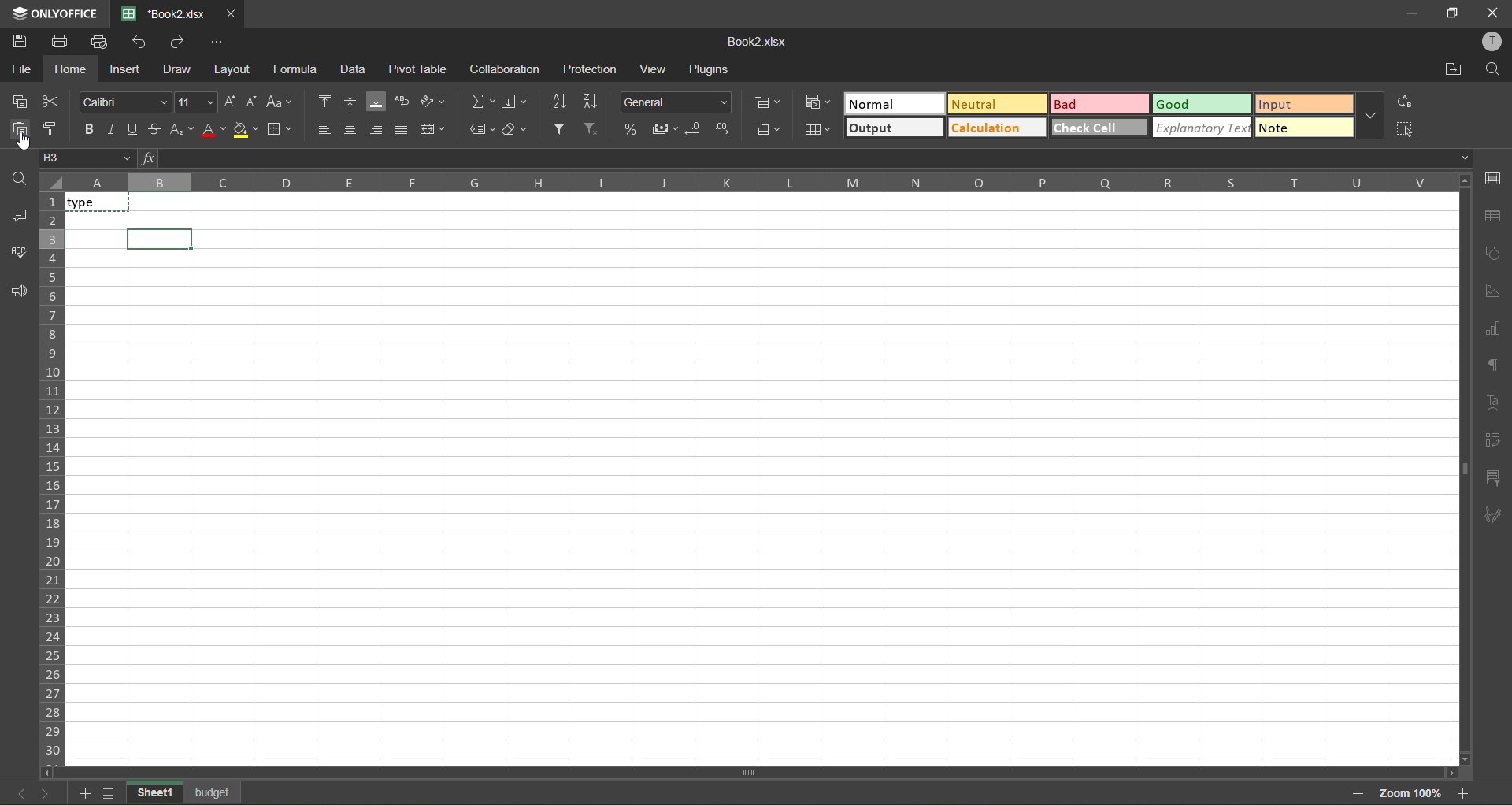  What do you see at coordinates (663, 128) in the screenshot?
I see `accounting` at bounding box center [663, 128].